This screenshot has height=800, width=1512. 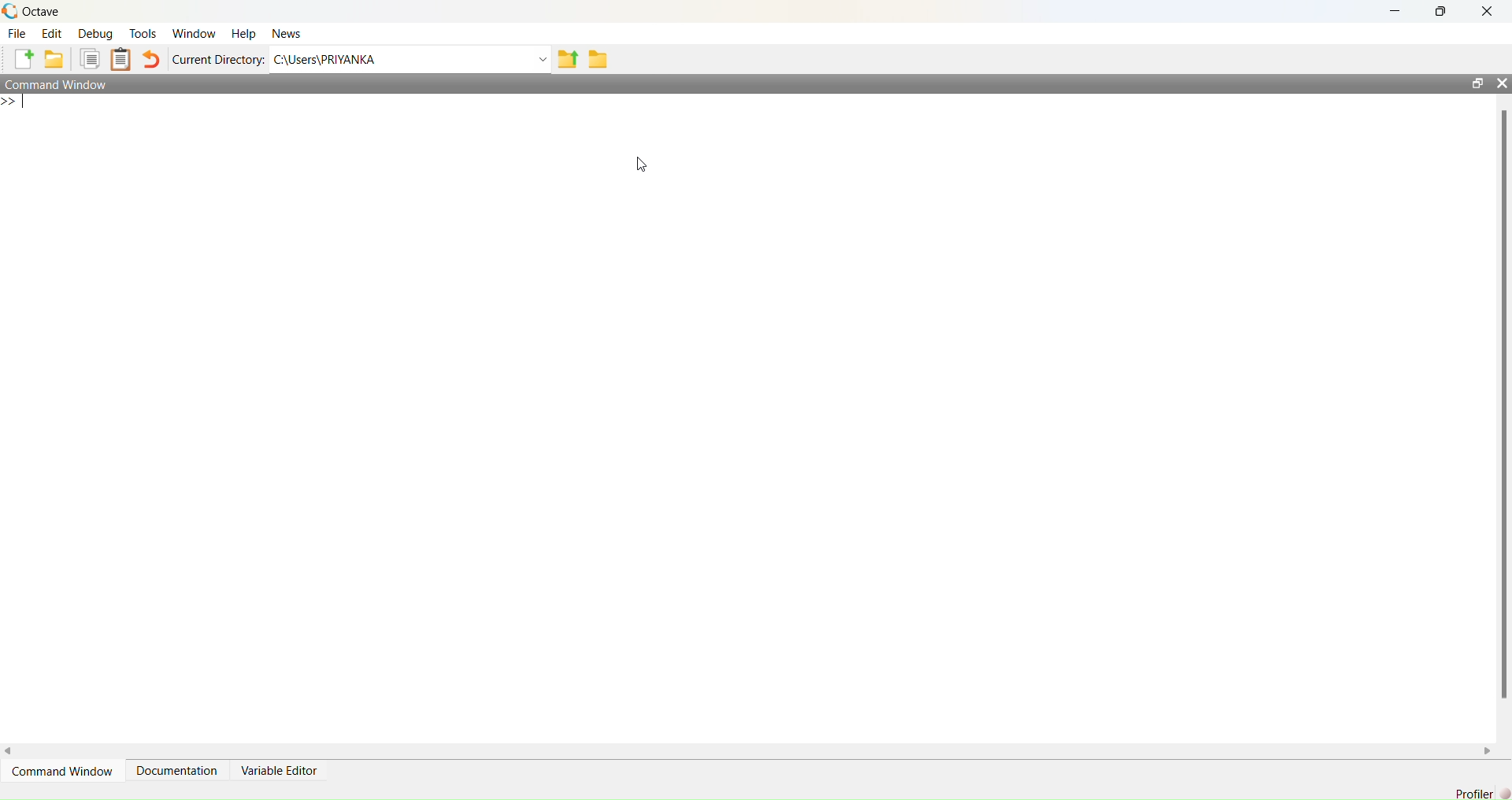 What do you see at coordinates (1443, 11) in the screenshot?
I see `maximise` at bounding box center [1443, 11].